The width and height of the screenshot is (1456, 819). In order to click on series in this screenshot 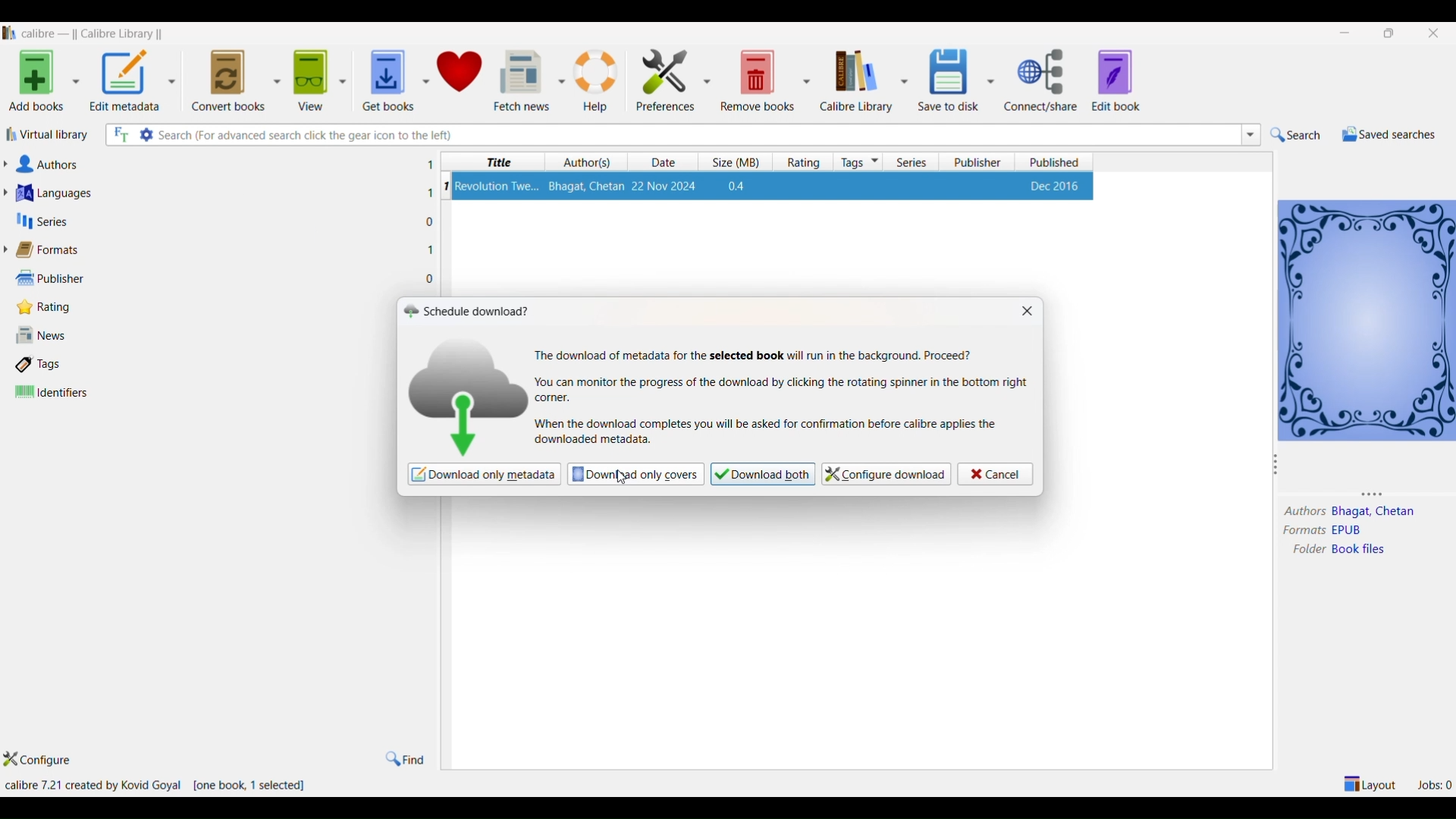, I will do `click(912, 162)`.